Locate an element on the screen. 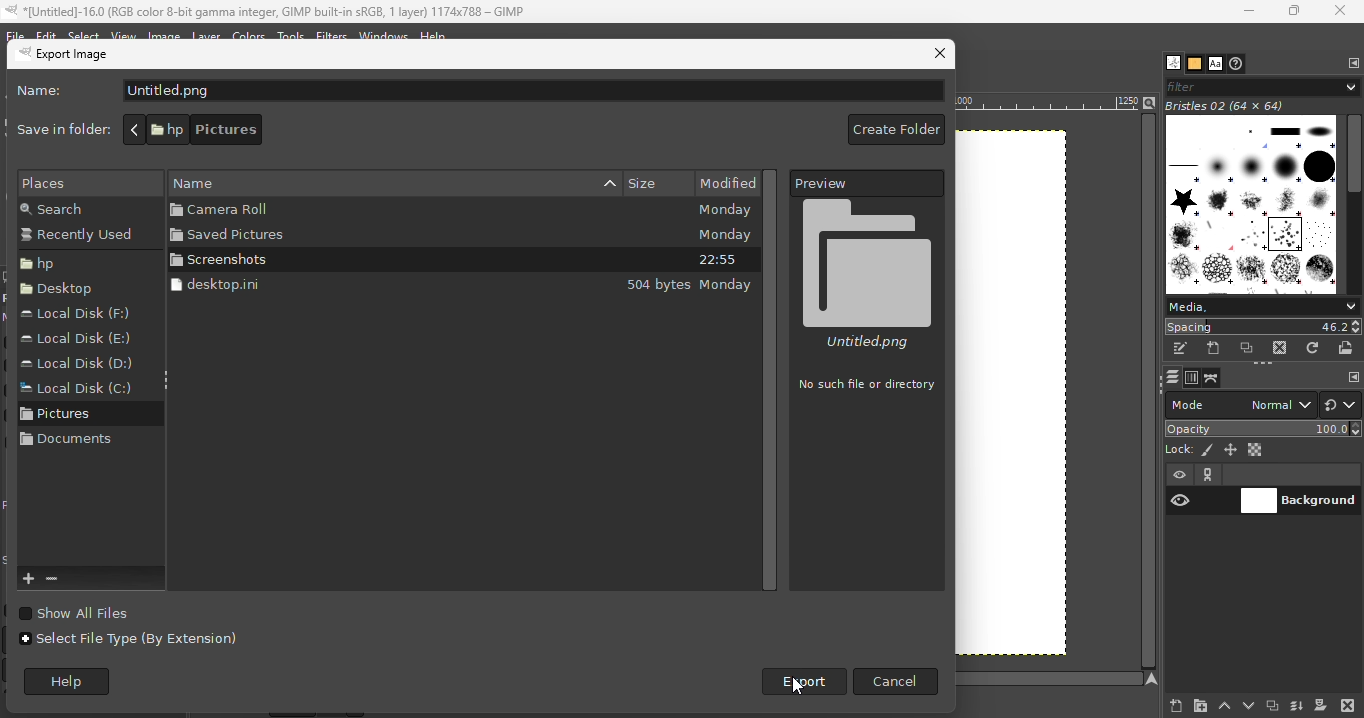  Close is located at coordinates (938, 55).